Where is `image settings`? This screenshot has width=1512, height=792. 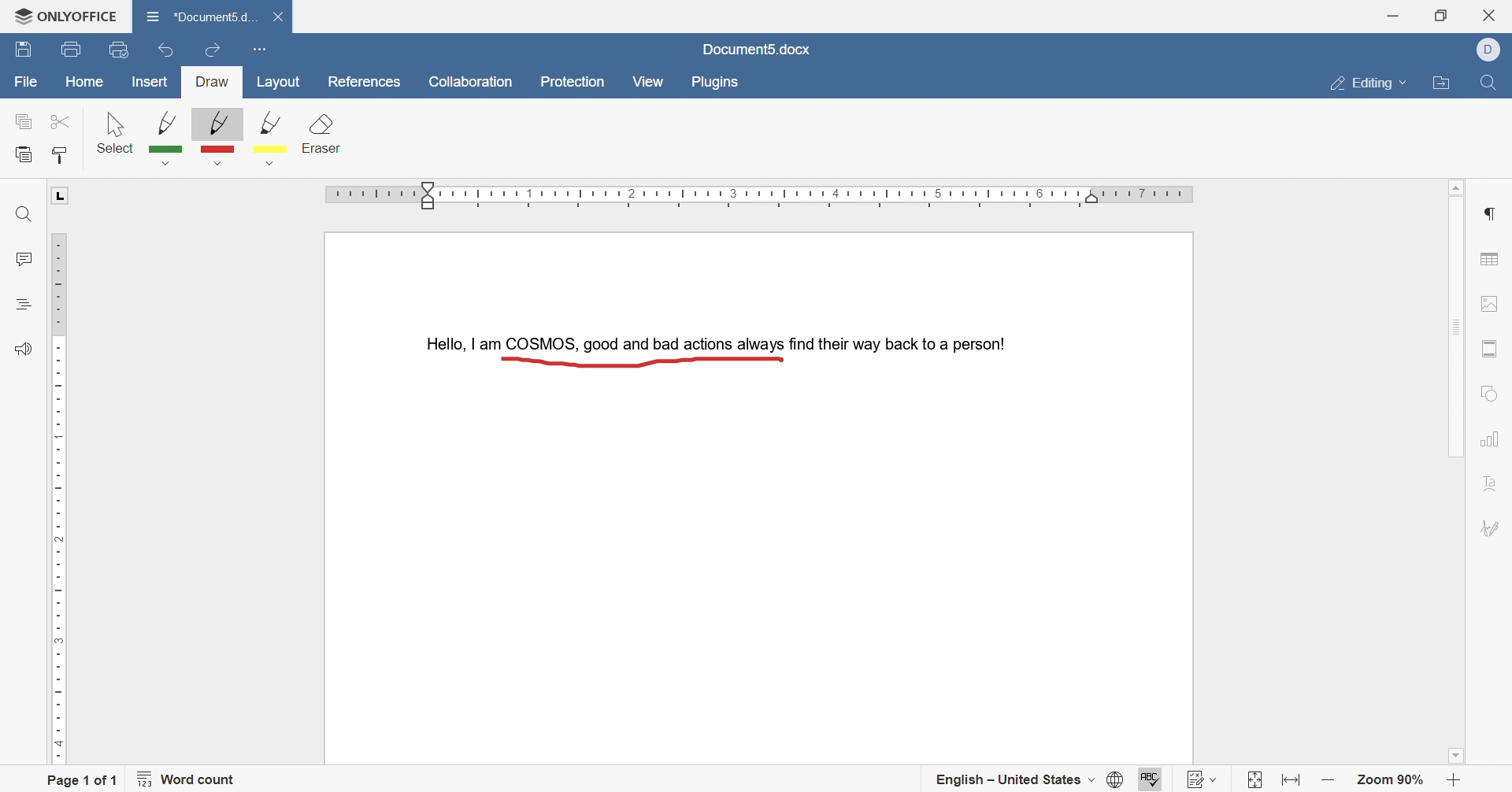 image settings is located at coordinates (1497, 302).